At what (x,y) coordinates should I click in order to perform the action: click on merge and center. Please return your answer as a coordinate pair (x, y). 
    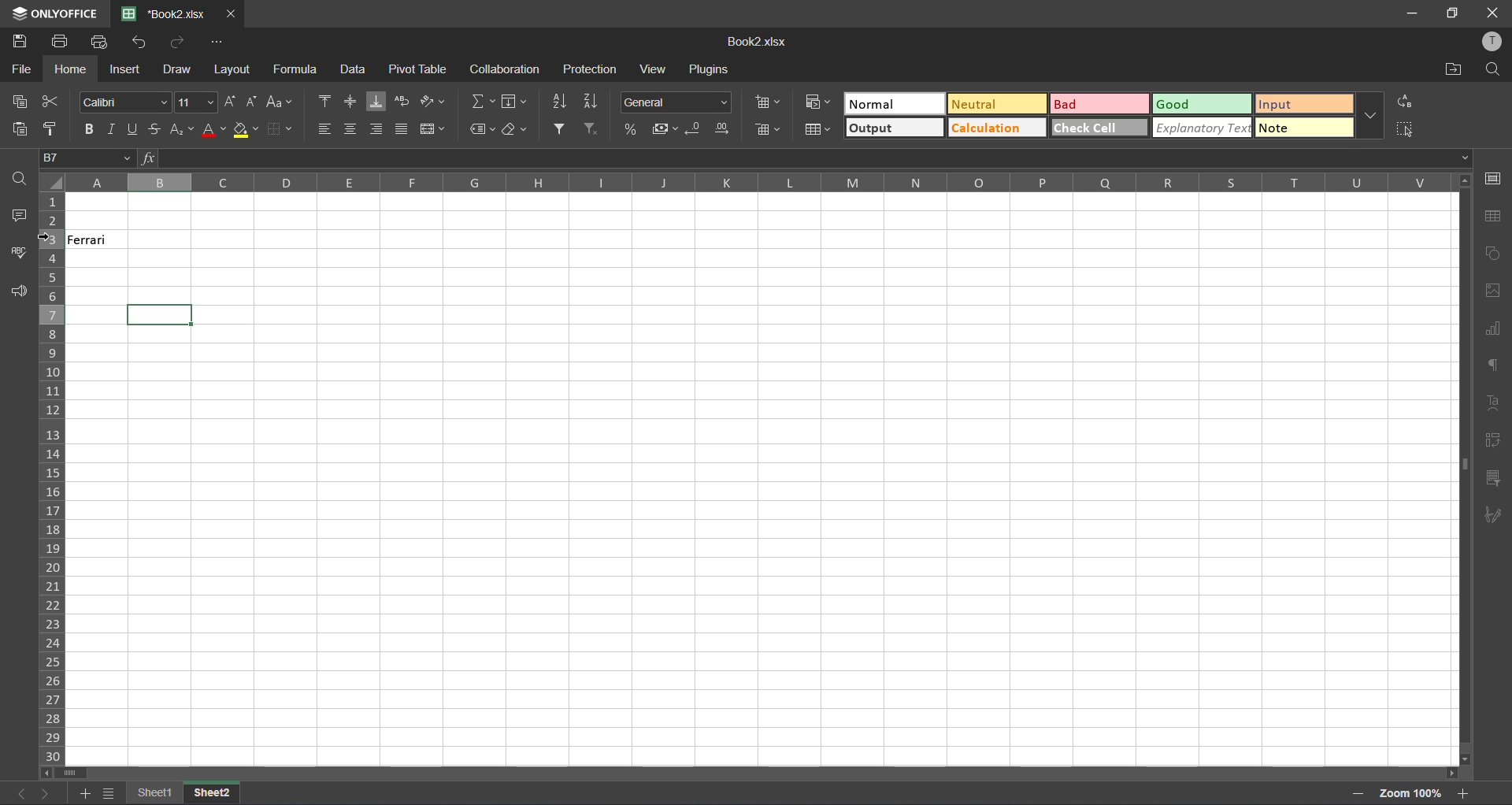
    Looking at the image, I should click on (432, 129).